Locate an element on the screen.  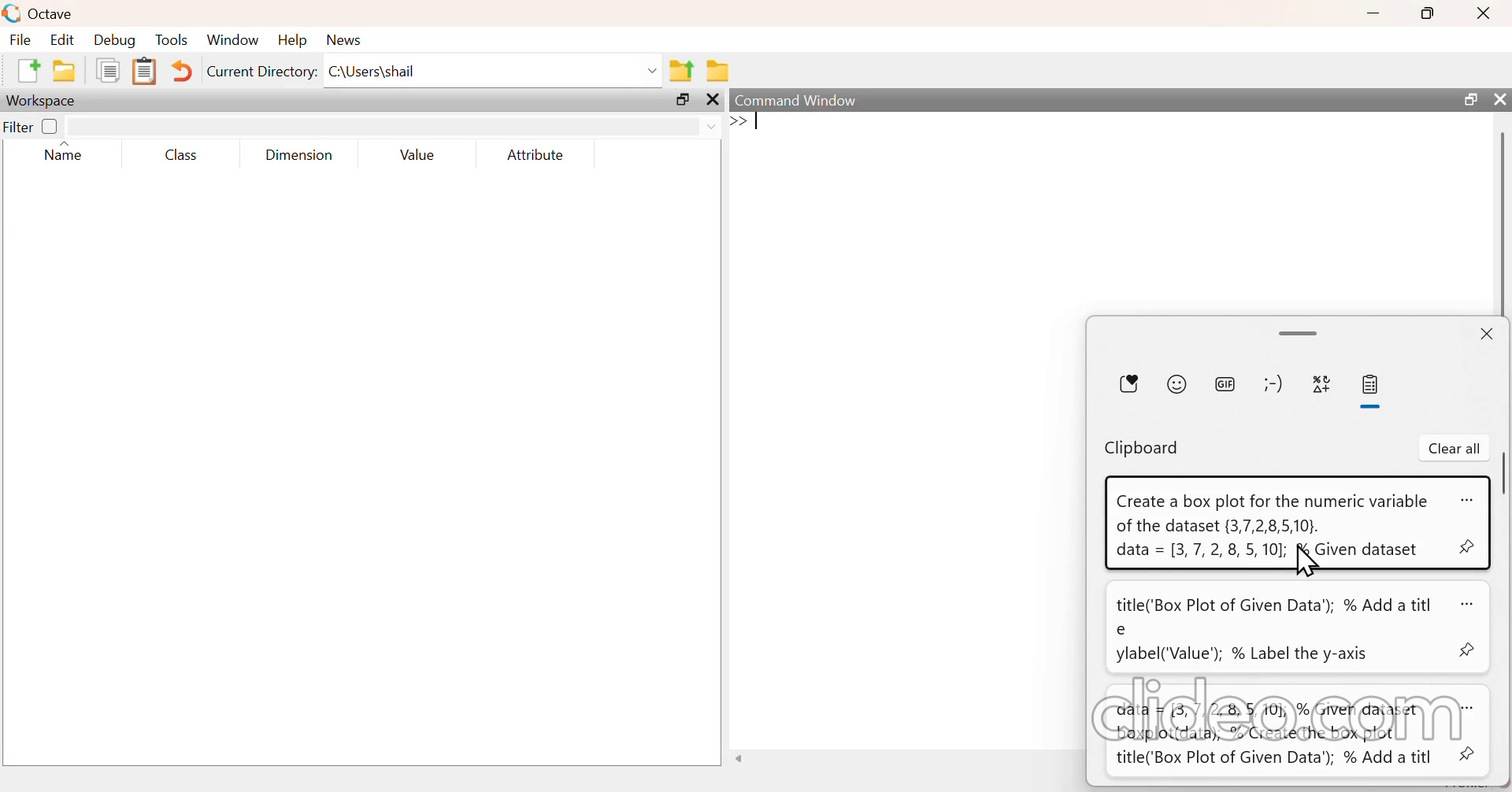
open an existing file in editor is located at coordinates (65, 71).